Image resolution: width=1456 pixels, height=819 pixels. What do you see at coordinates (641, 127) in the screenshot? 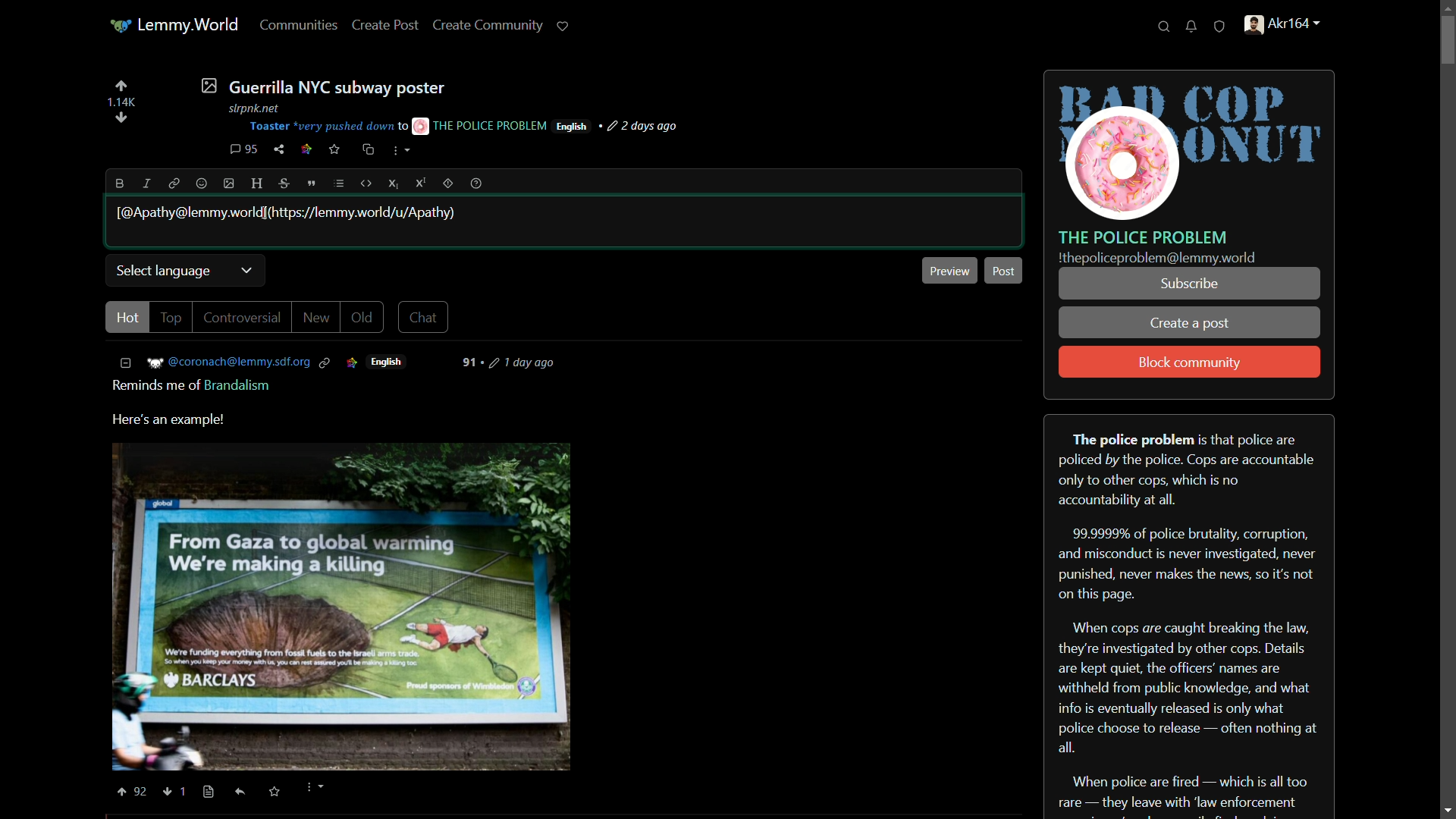
I see `post-time` at bounding box center [641, 127].